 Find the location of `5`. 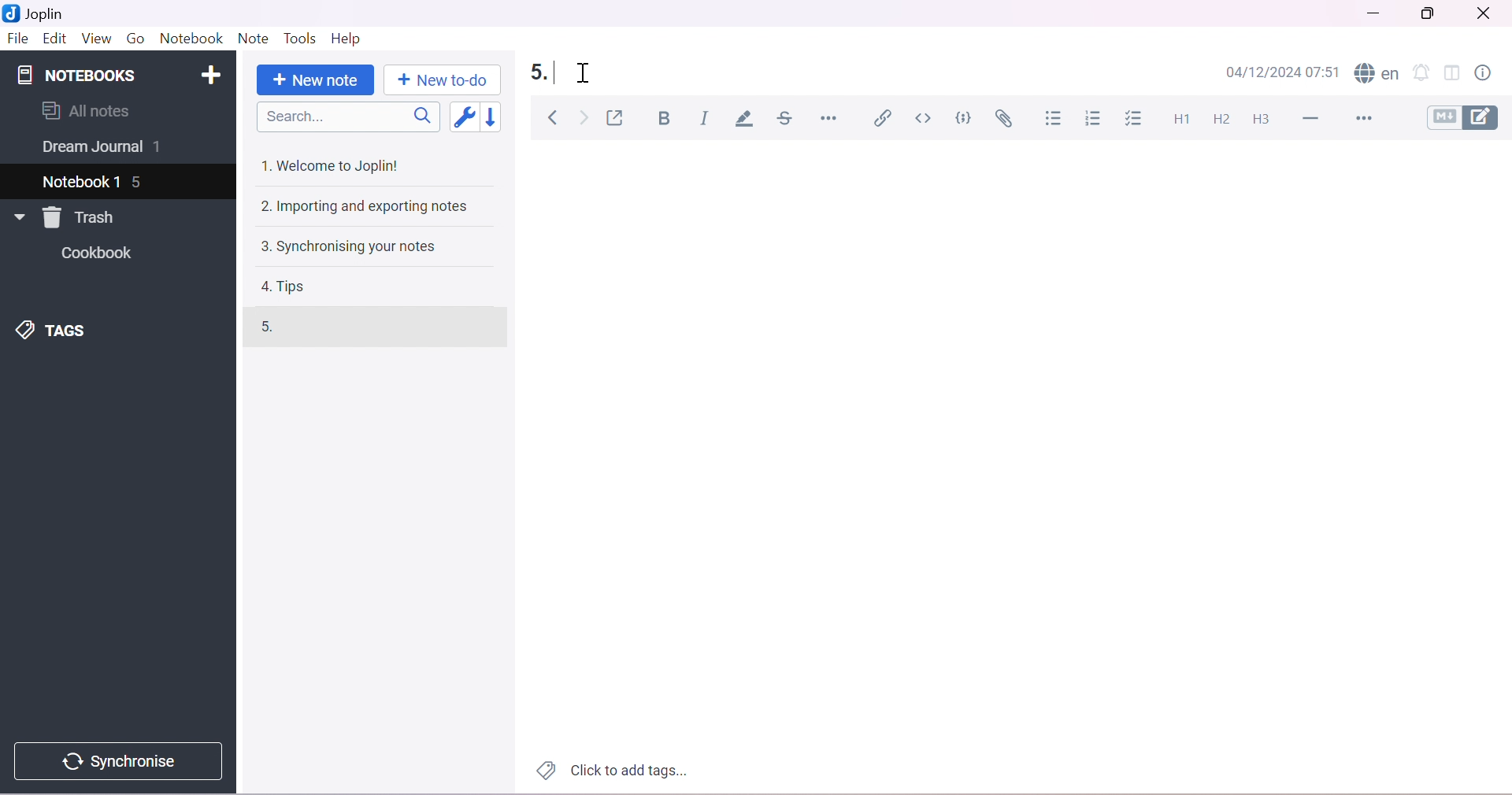

5 is located at coordinates (141, 183).